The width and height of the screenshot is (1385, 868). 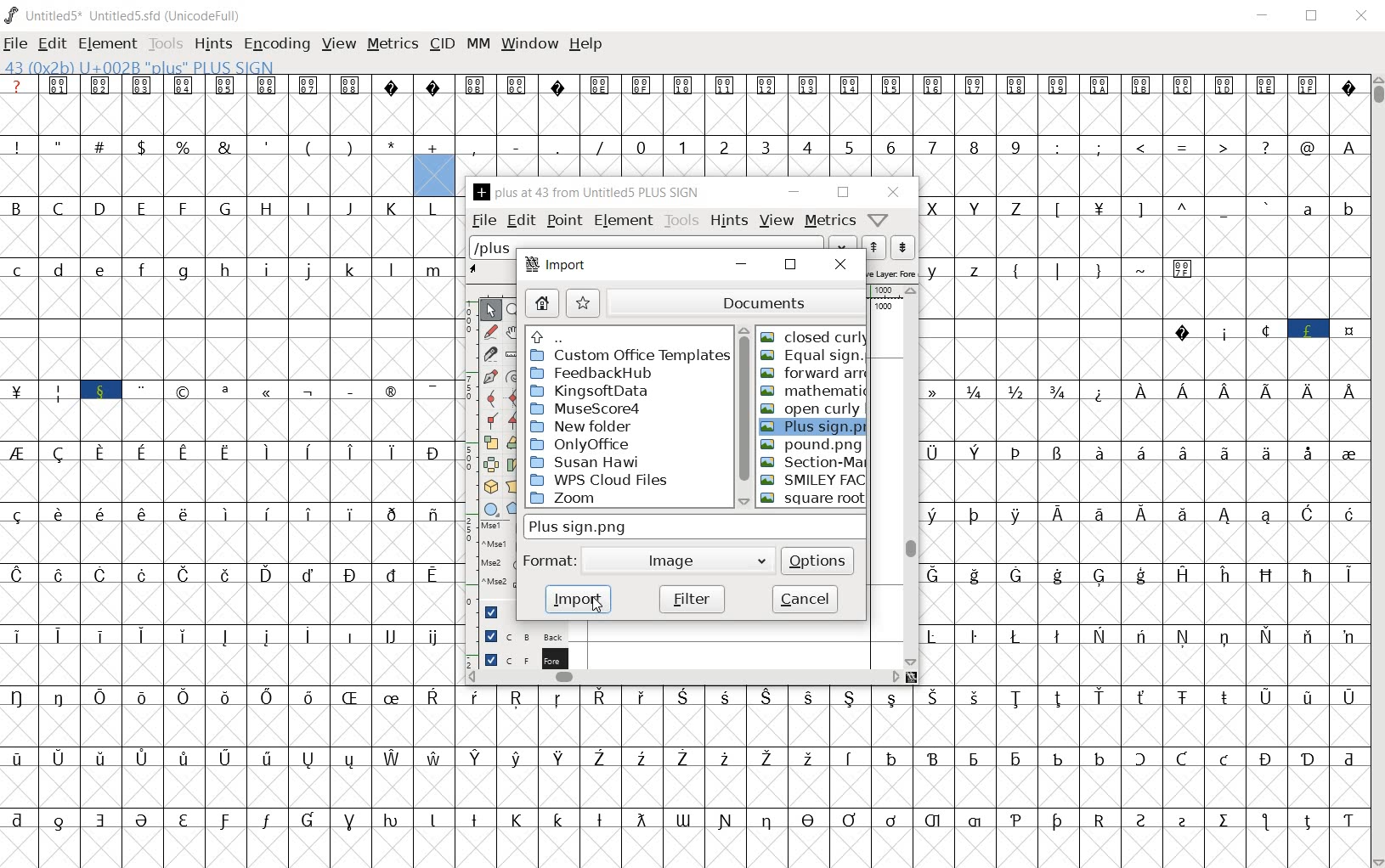 What do you see at coordinates (559, 268) in the screenshot?
I see `import` at bounding box center [559, 268].